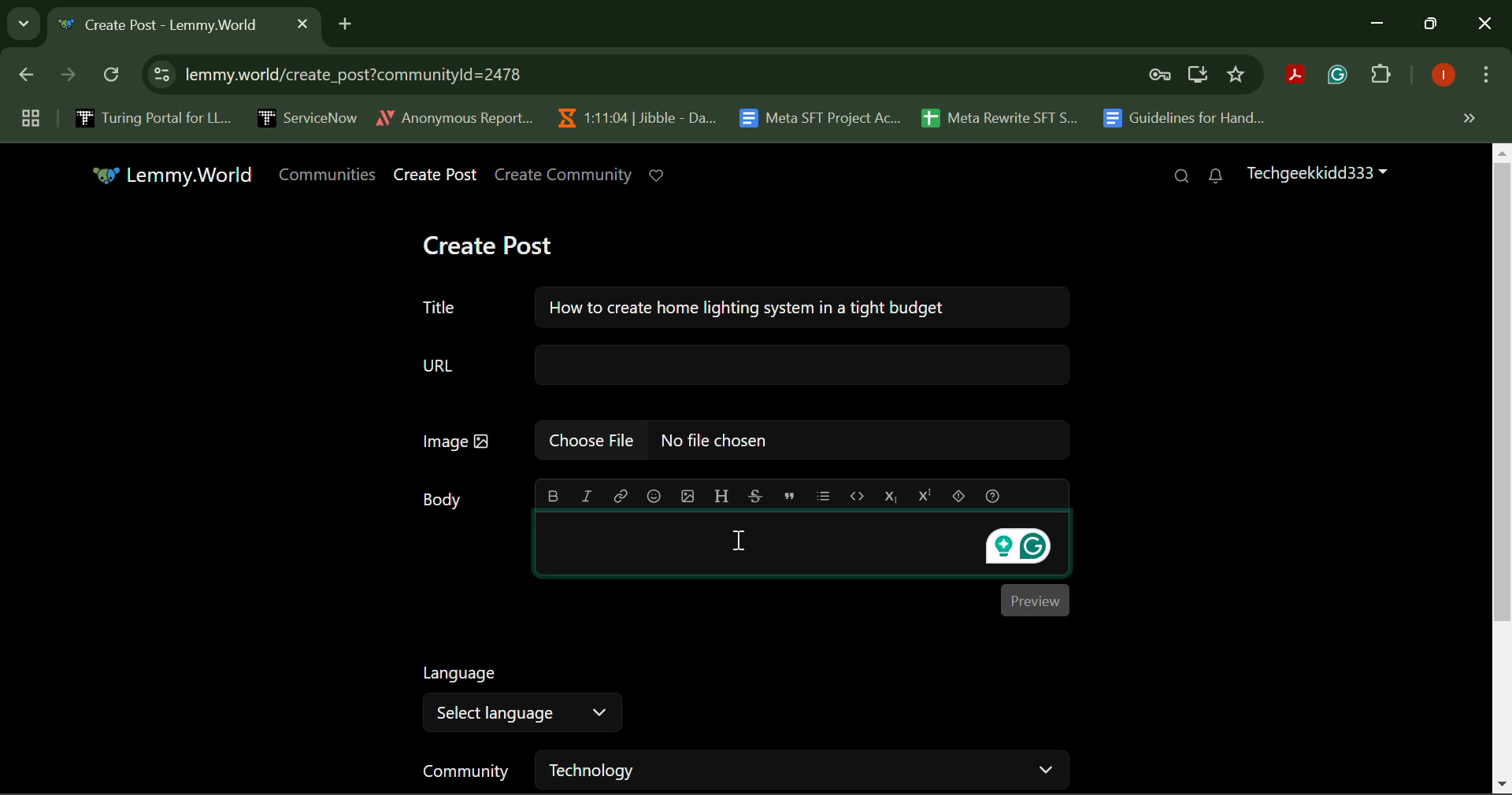 The image size is (1512, 795). Describe the element at coordinates (302, 23) in the screenshot. I see `Close Tab` at that location.